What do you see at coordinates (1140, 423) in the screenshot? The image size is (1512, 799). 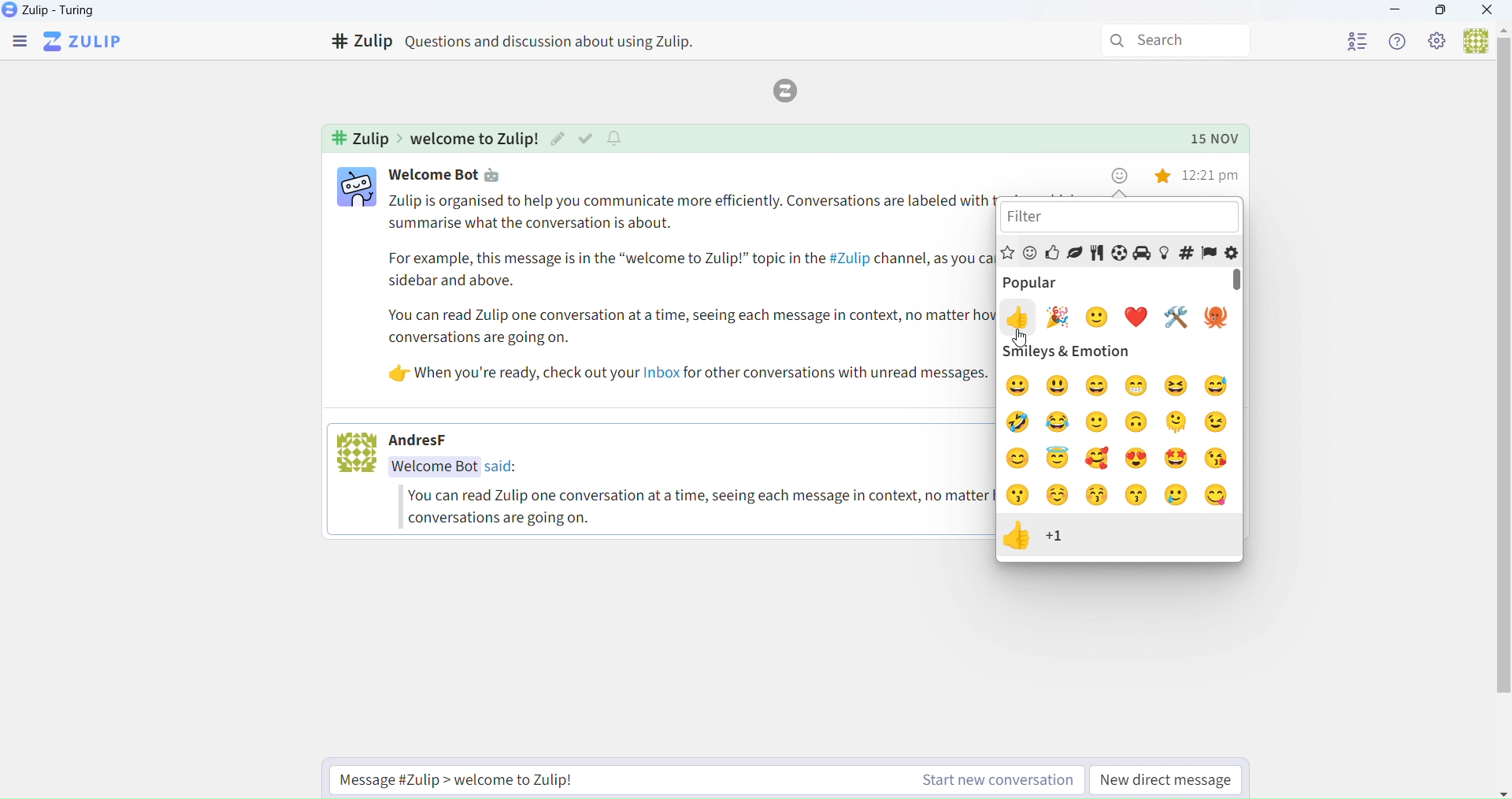 I see `upside down` at bounding box center [1140, 423].